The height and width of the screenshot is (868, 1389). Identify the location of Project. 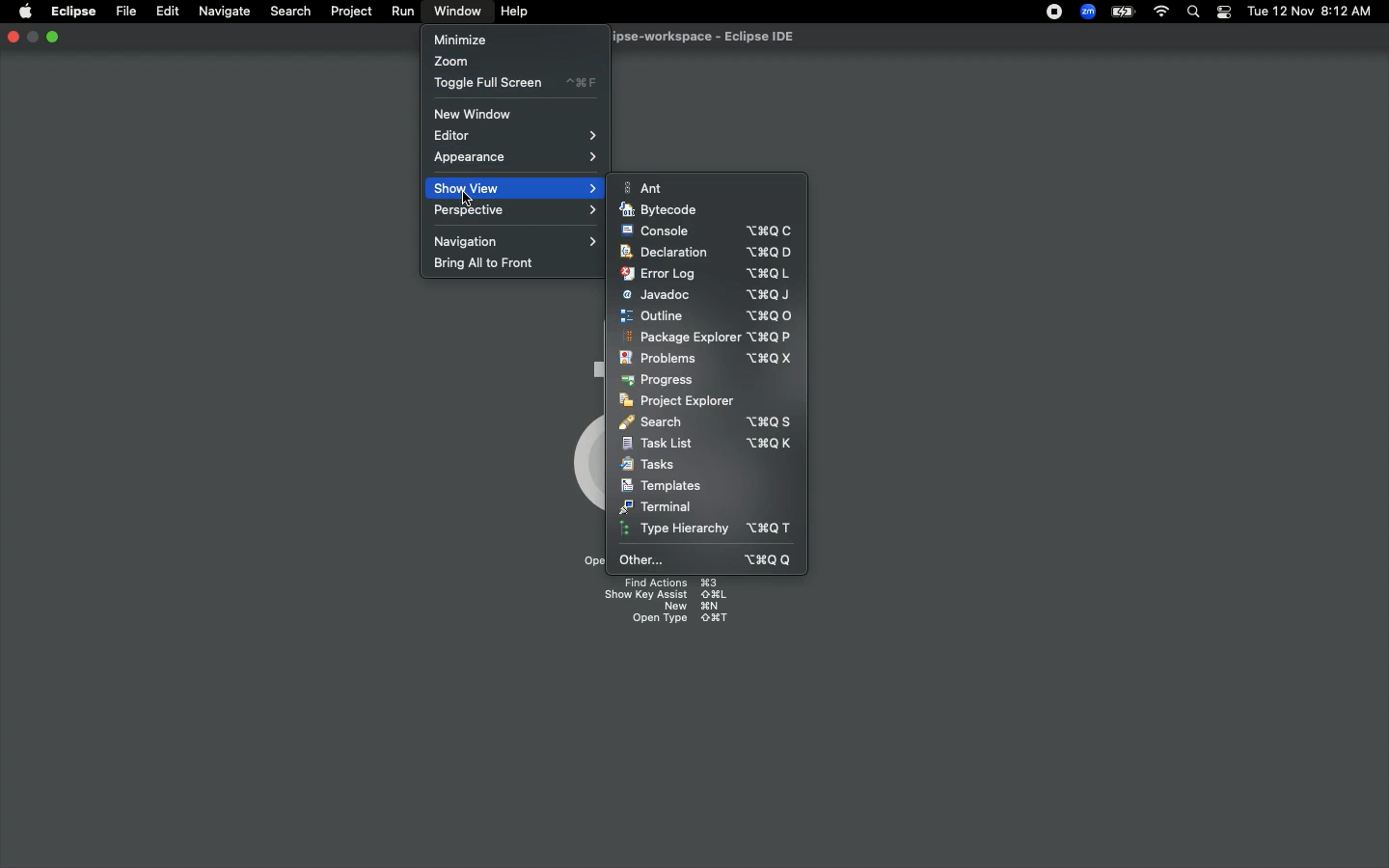
(347, 12).